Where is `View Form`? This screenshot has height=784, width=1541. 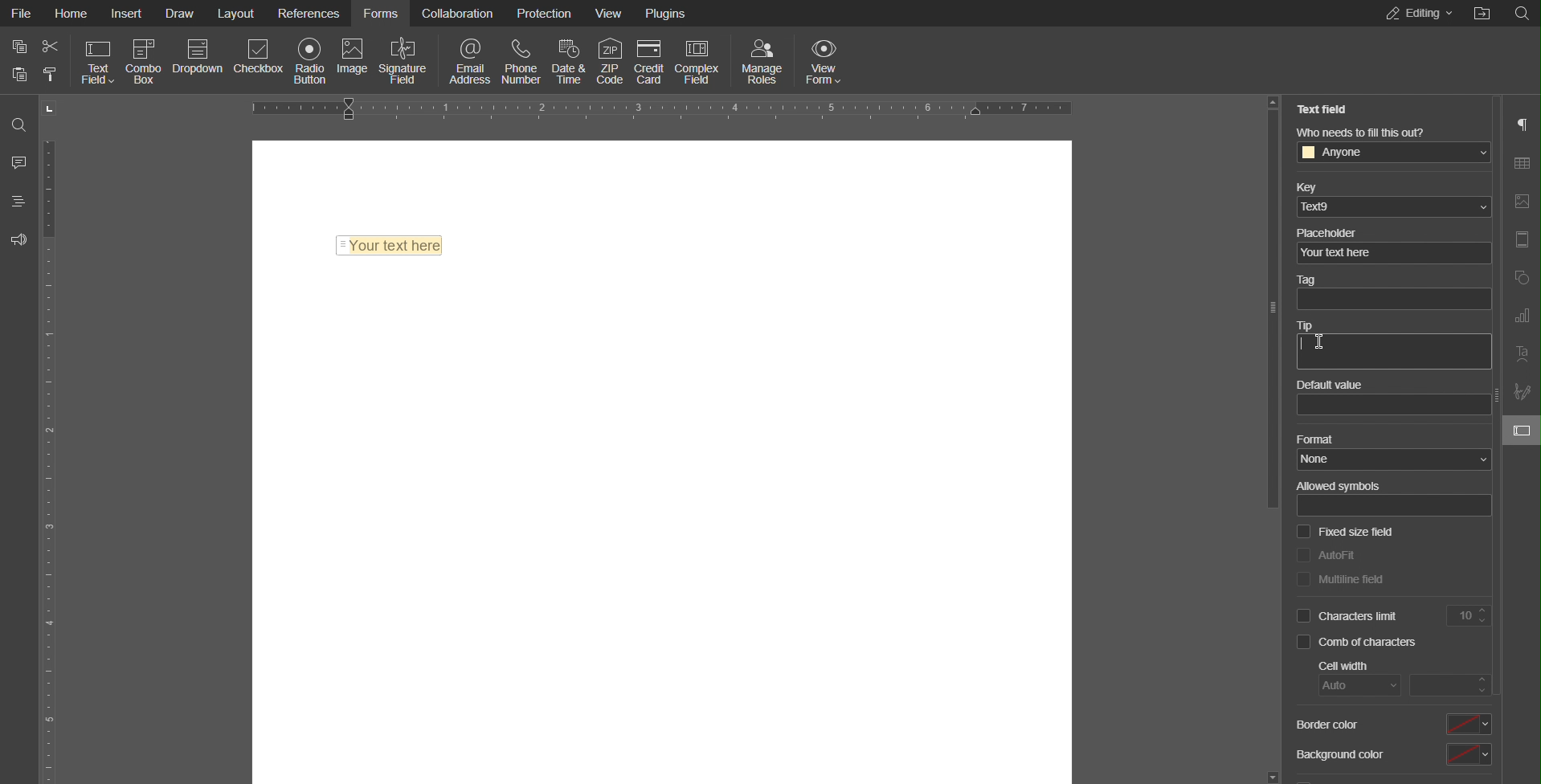 View Form is located at coordinates (825, 59).